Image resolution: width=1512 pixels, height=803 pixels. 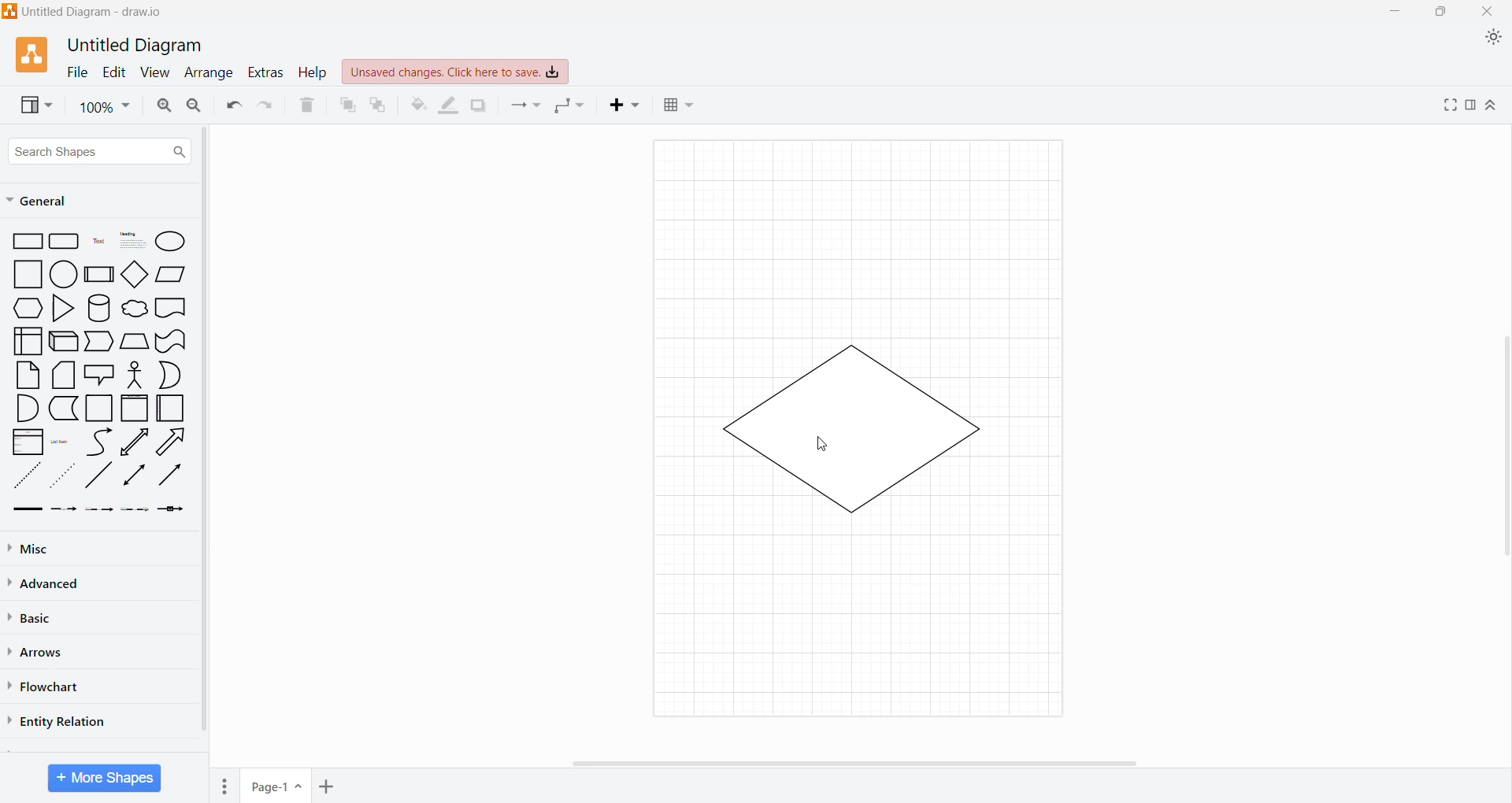 What do you see at coordinates (417, 105) in the screenshot?
I see `Fill Color` at bounding box center [417, 105].